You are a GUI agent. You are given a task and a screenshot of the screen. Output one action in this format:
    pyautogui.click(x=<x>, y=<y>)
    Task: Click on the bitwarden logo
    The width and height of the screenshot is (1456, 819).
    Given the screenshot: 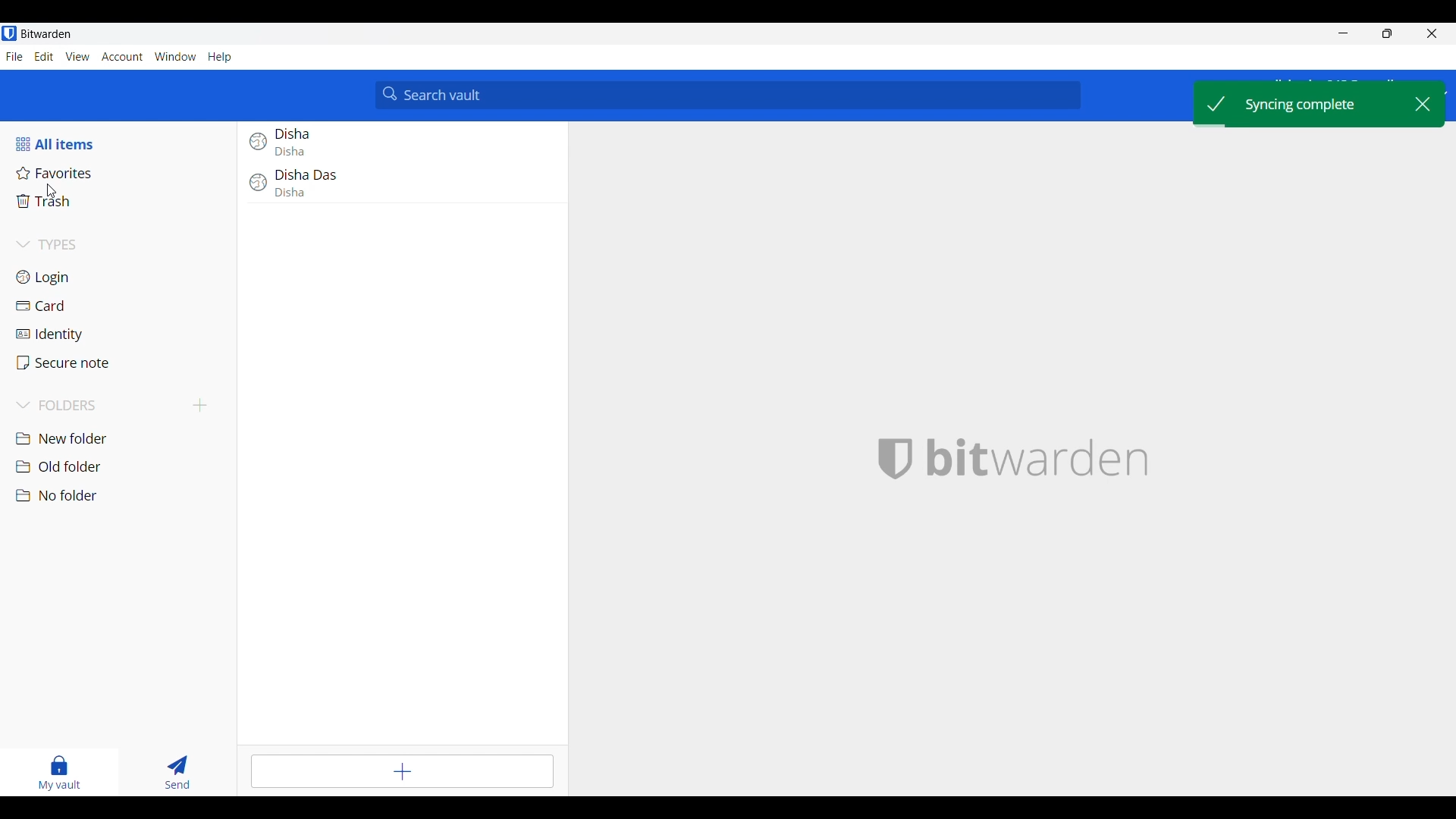 What is the action you would take?
    pyautogui.click(x=897, y=457)
    